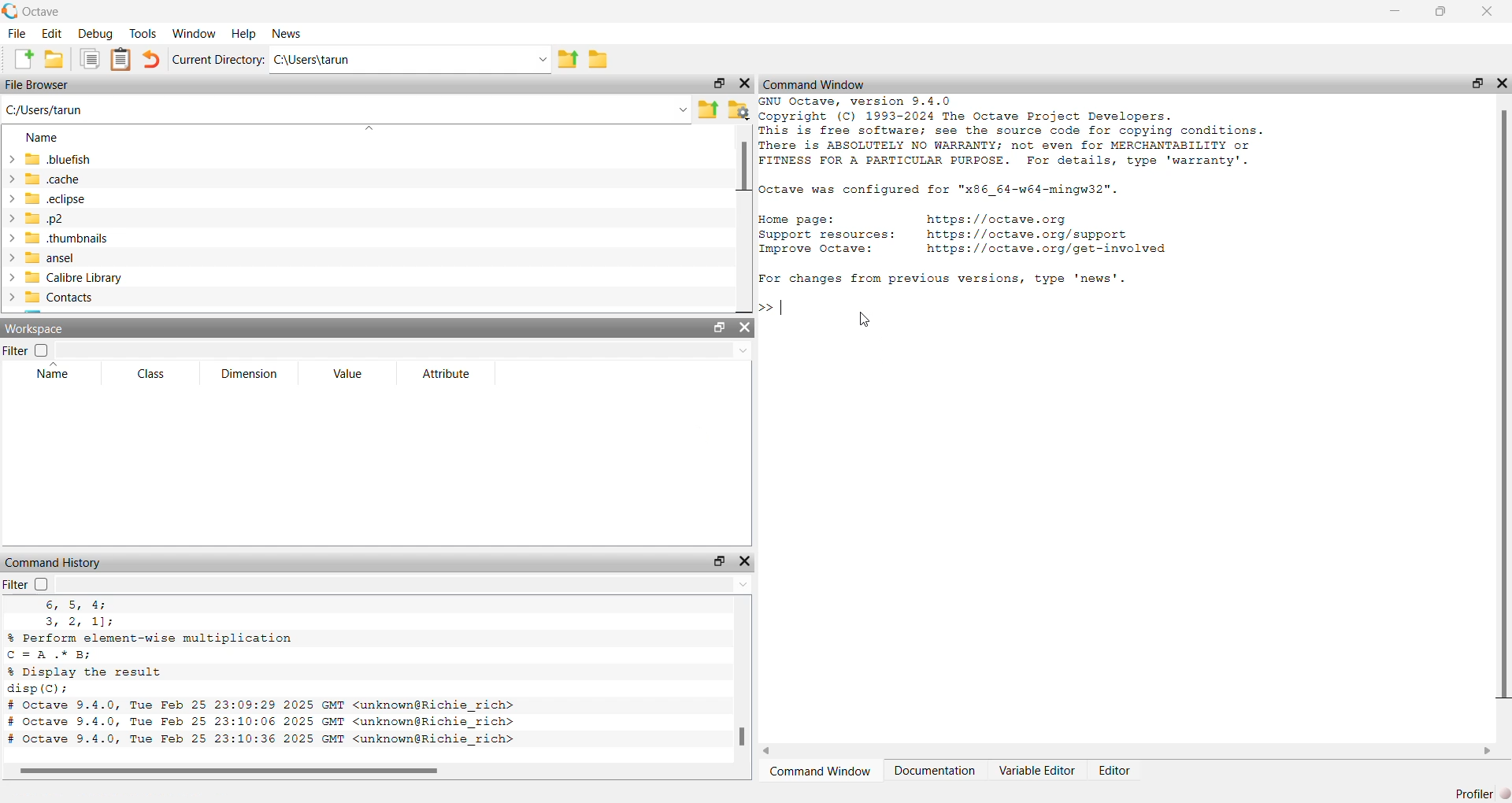 The width and height of the screenshot is (1512, 803). I want to click on Tools, so click(143, 32).